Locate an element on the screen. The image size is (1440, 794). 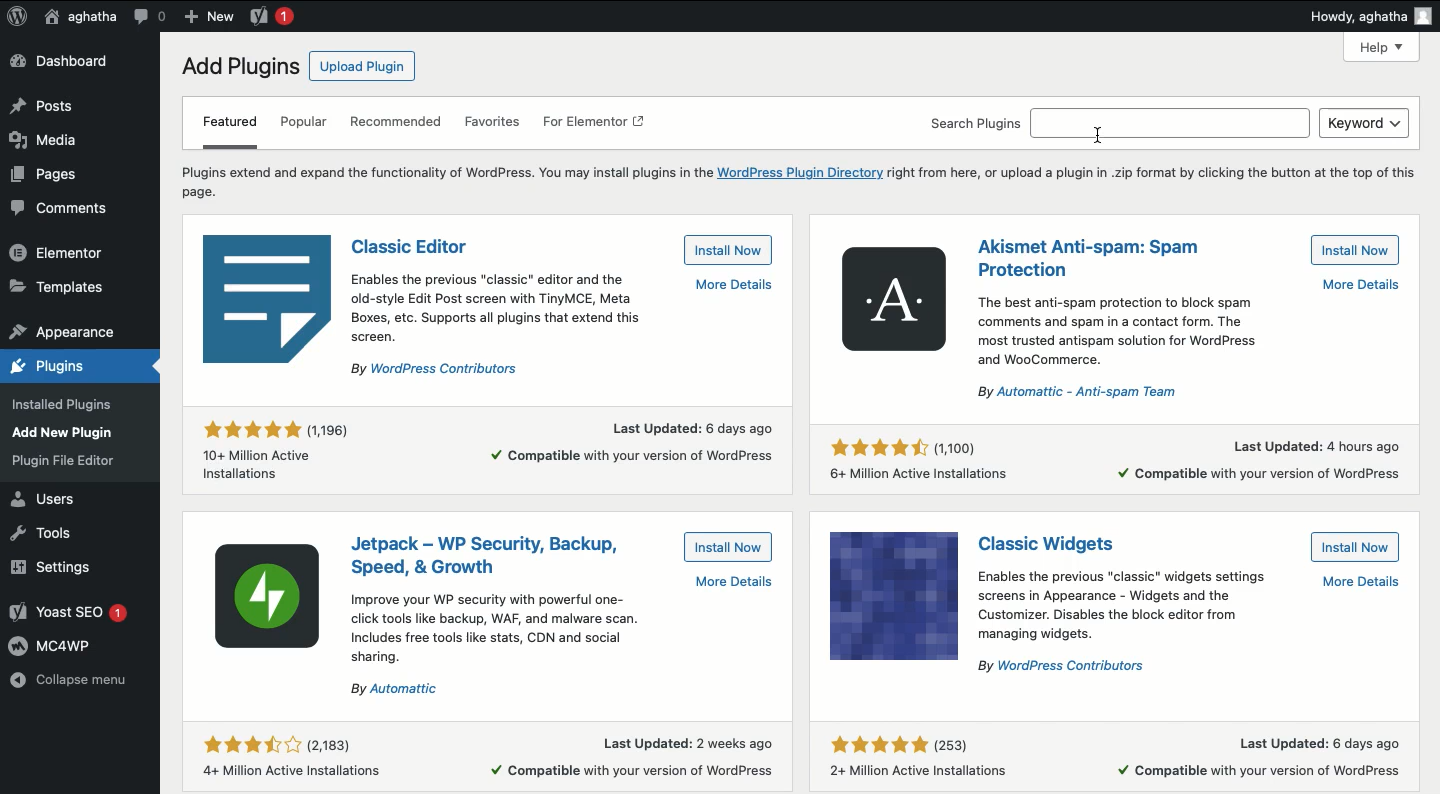
Improve your WP security with powerful one-click tools like backup, WAF, and malware scan.Includes free tools like stats, CON and social sharing.By Automattic is located at coordinates (560, 637).